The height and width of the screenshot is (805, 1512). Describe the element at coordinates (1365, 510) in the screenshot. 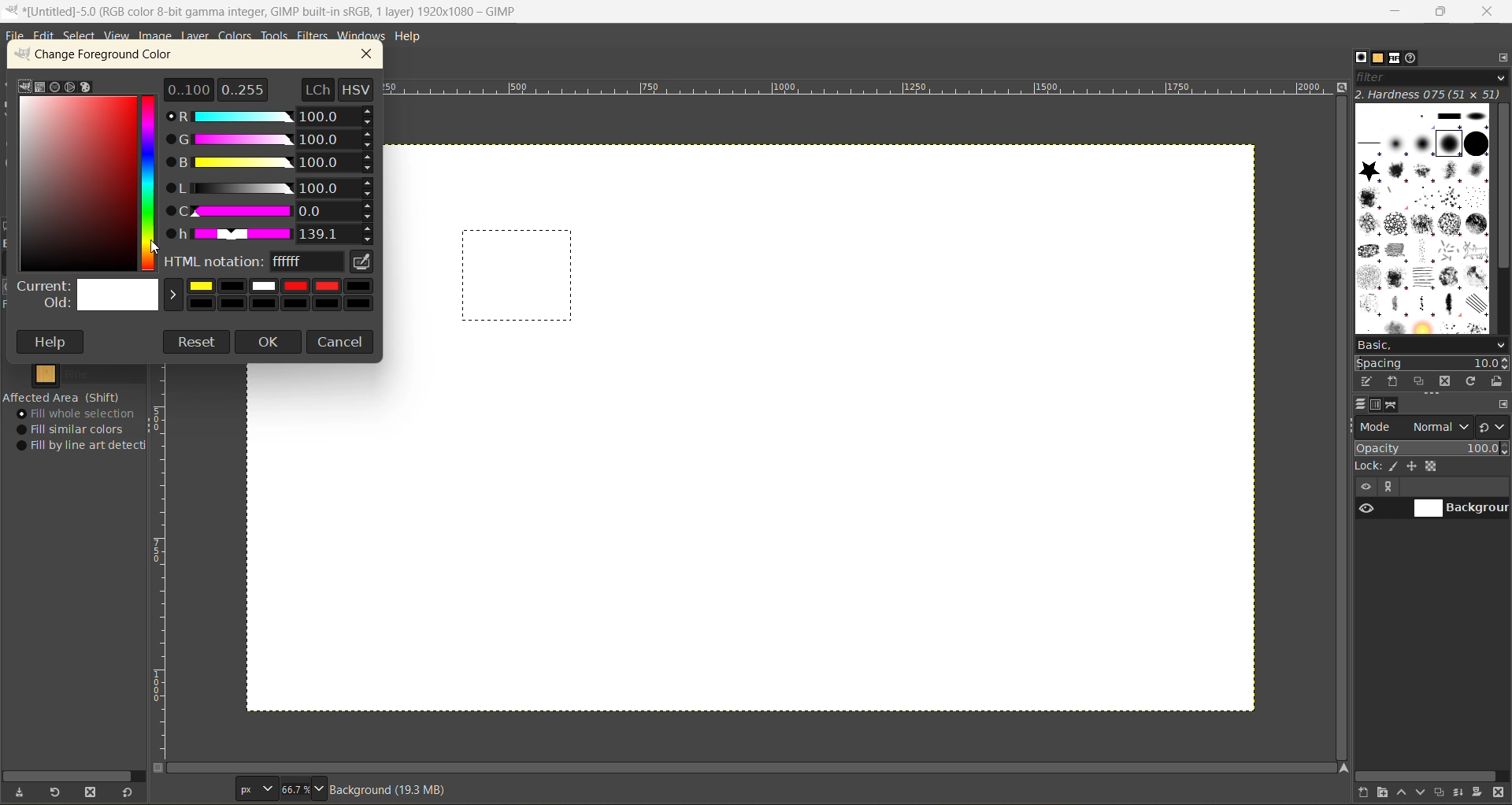

I see `preview` at that location.